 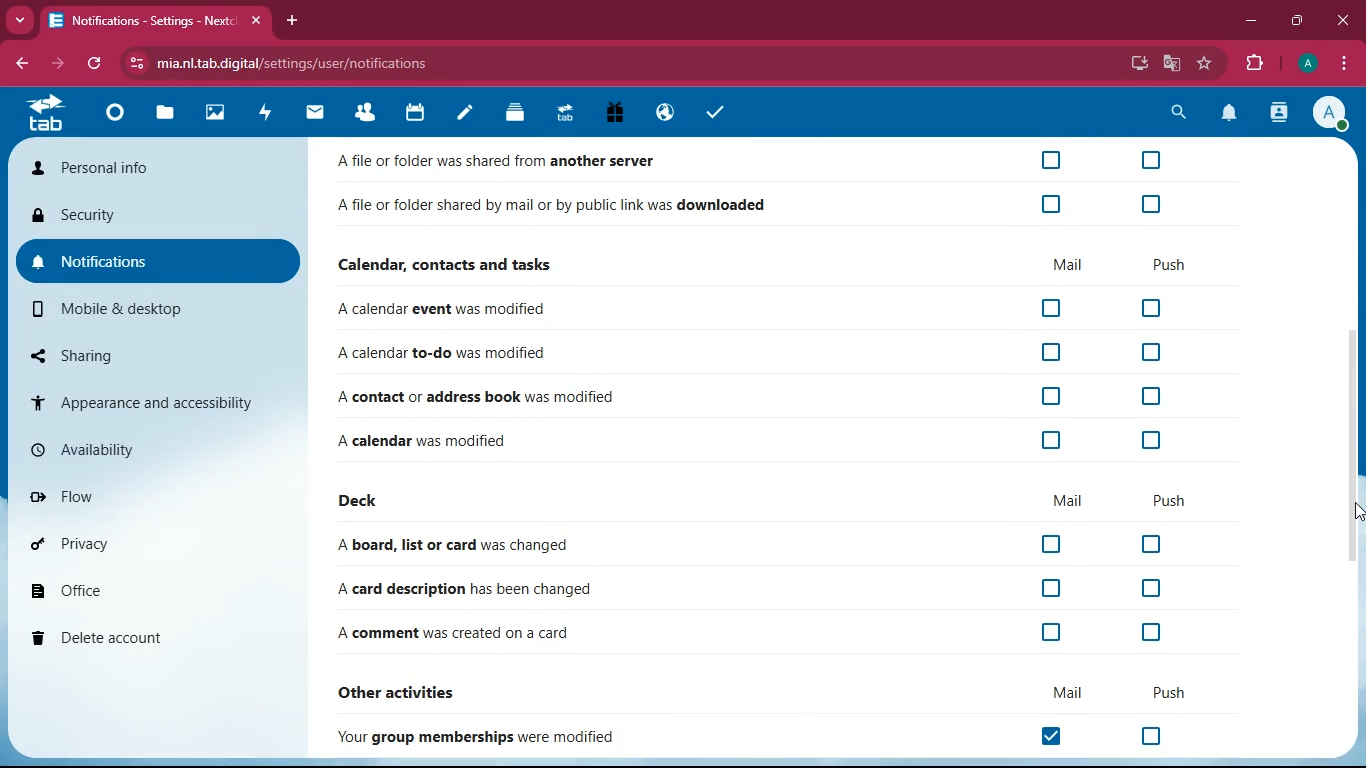 What do you see at coordinates (1344, 63) in the screenshot?
I see `options` at bounding box center [1344, 63].